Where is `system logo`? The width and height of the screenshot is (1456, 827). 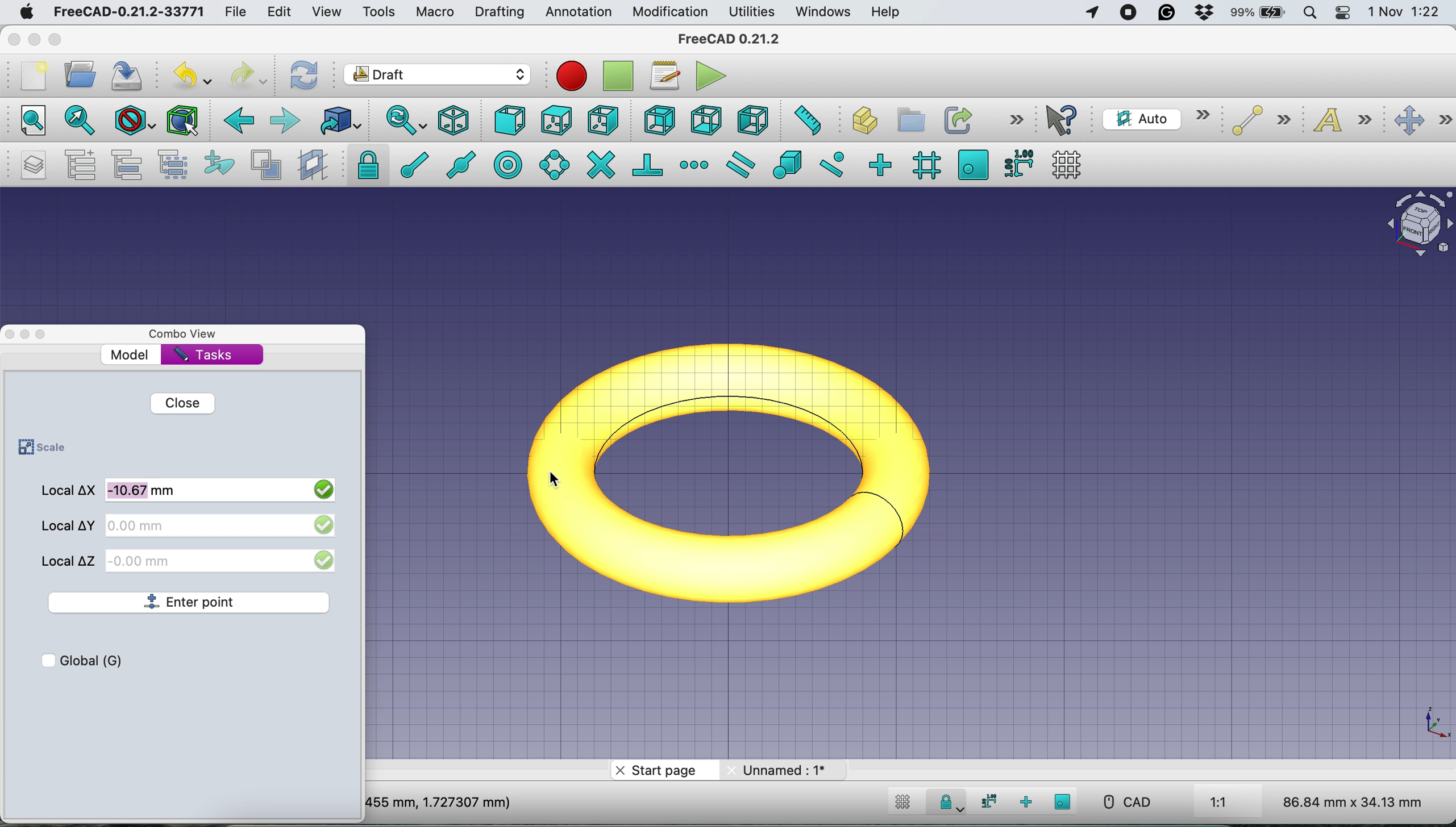 system logo is located at coordinates (24, 14).